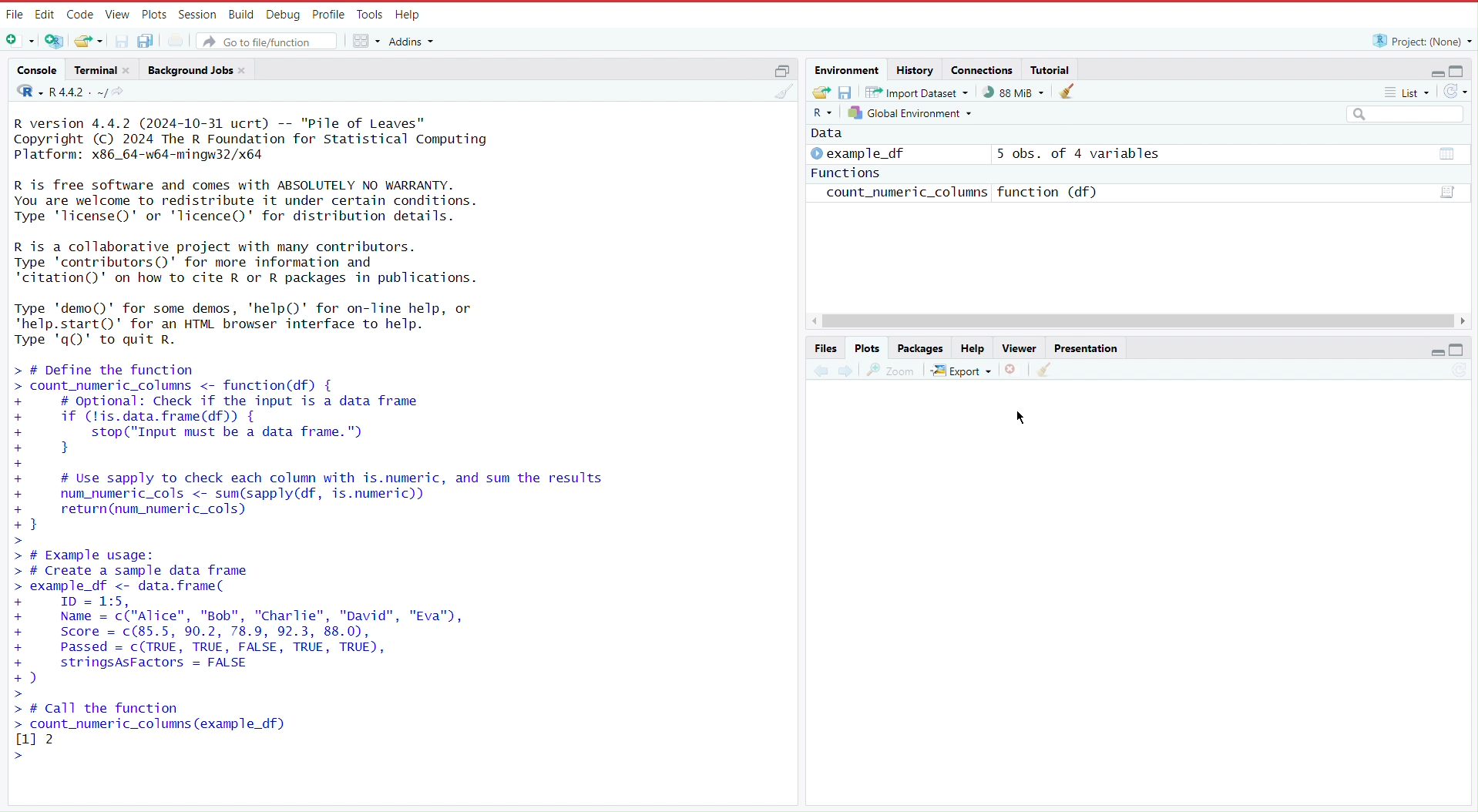 The width and height of the screenshot is (1478, 812). Describe the element at coordinates (1448, 192) in the screenshot. I see `Data/Table` at that location.